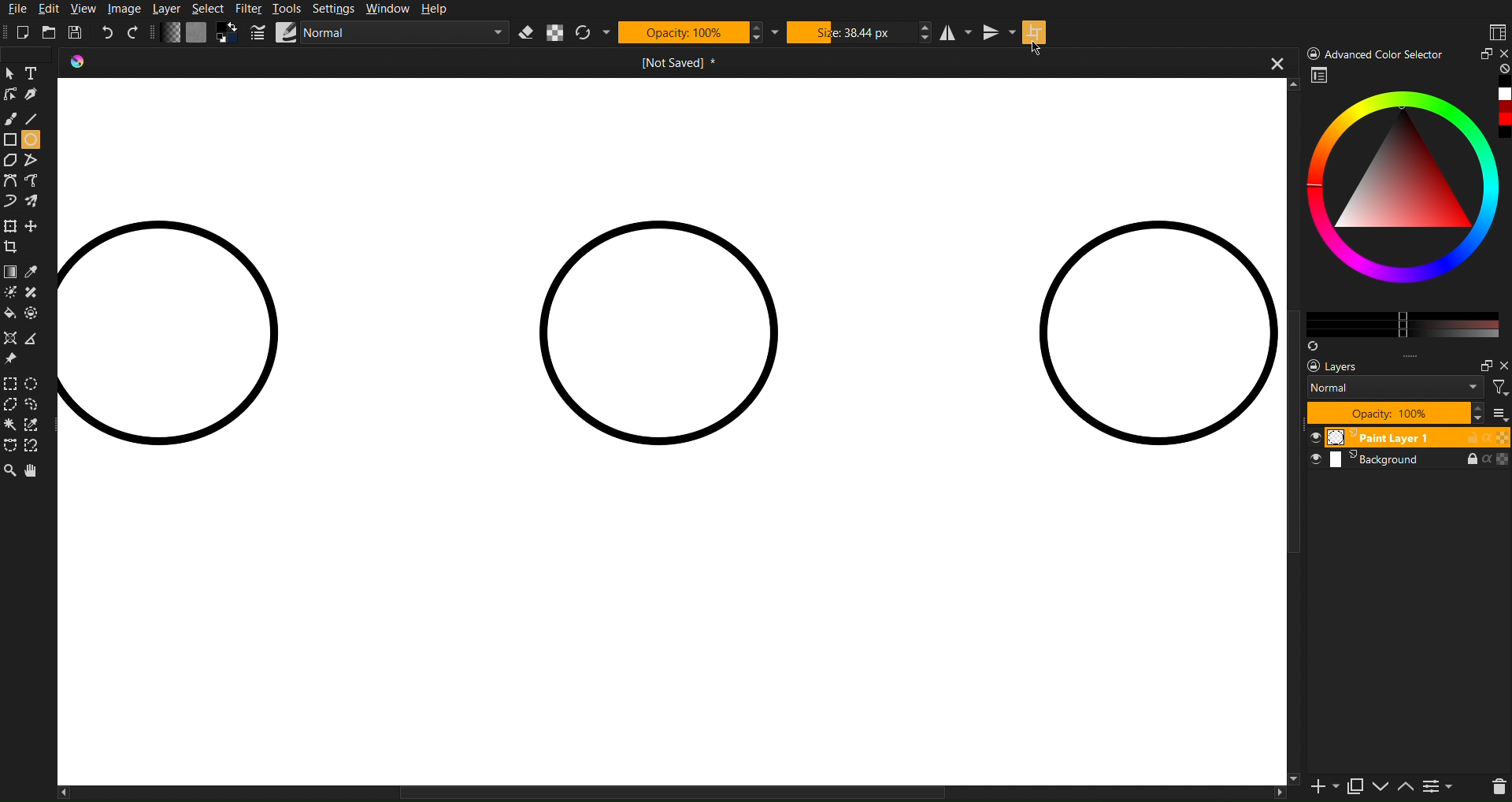  I want to click on maximize, so click(1482, 366).